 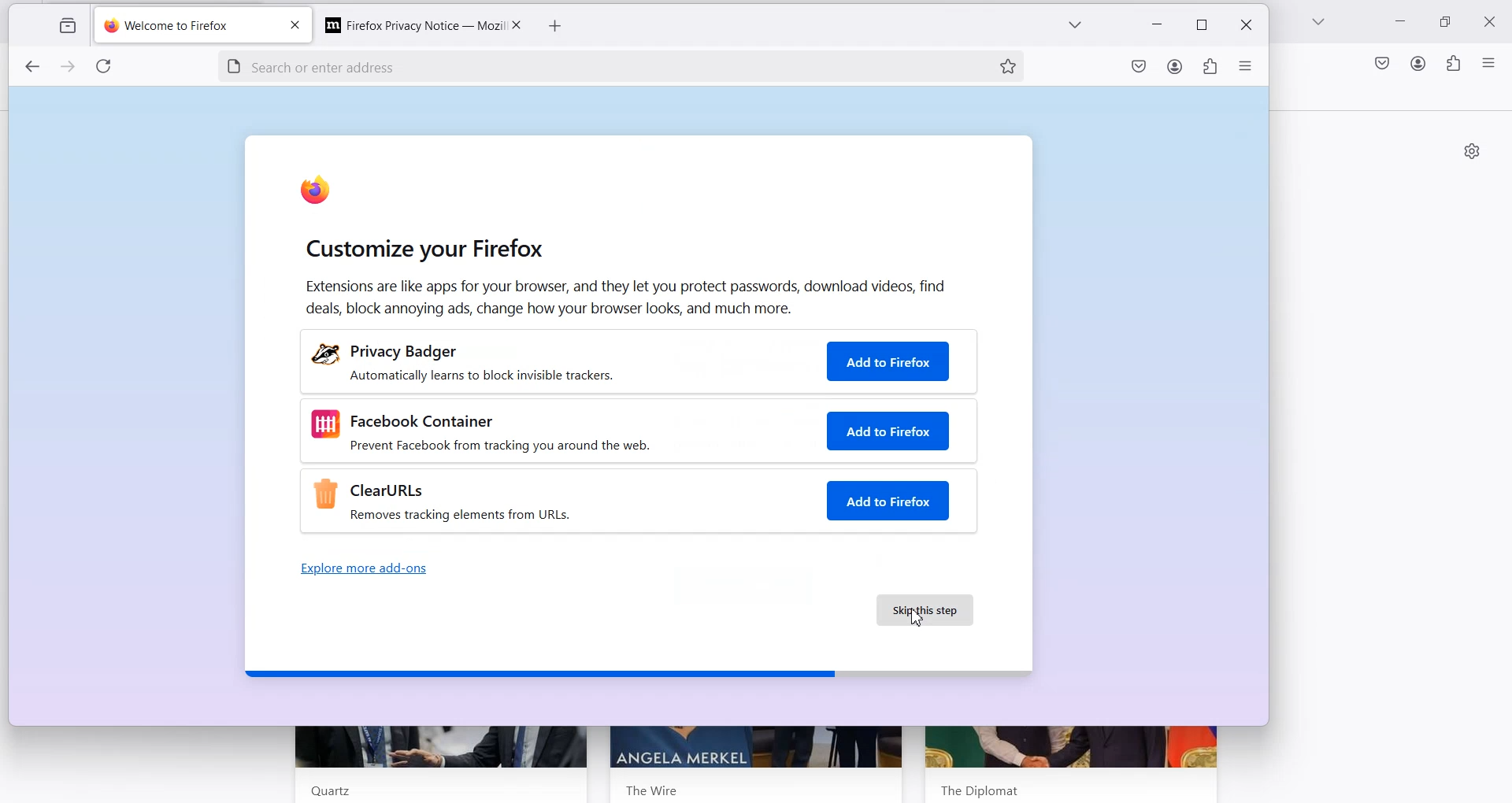 I want to click on Bookmark this page, so click(x=1007, y=65).